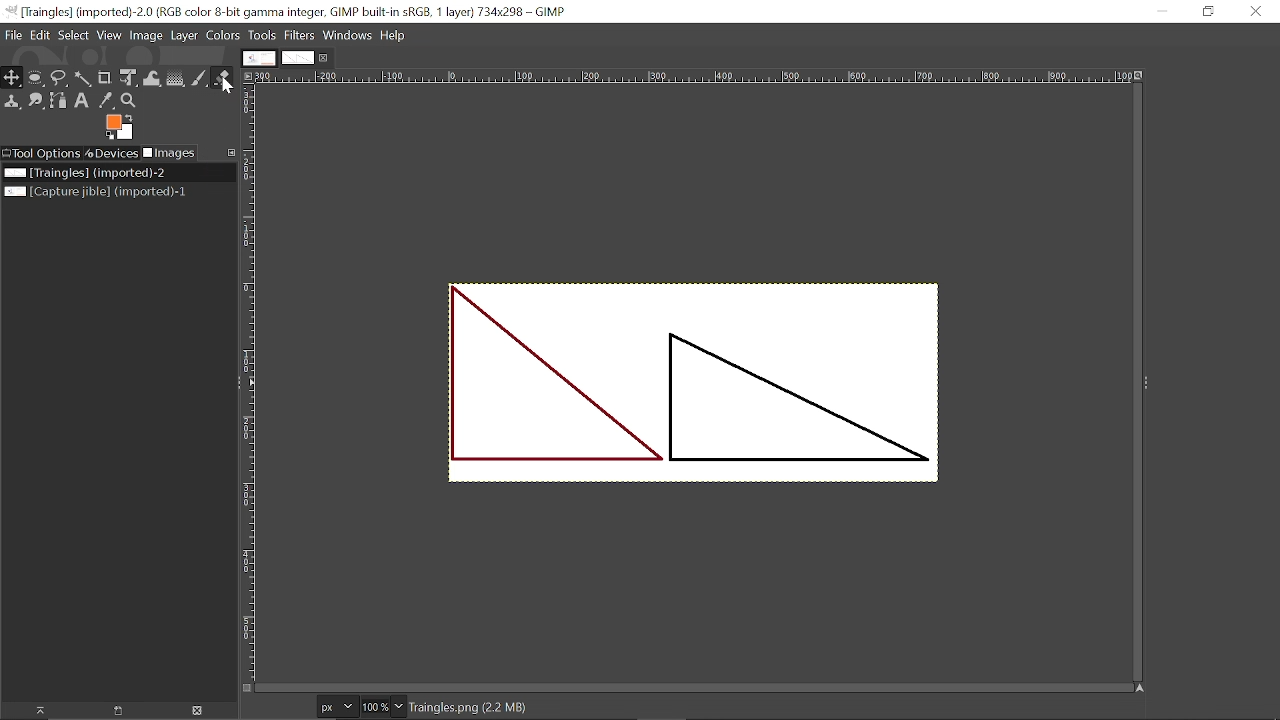 The image size is (1280, 720). Describe the element at coordinates (1257, 13) in the screenshot. I see `CLose` at that location.